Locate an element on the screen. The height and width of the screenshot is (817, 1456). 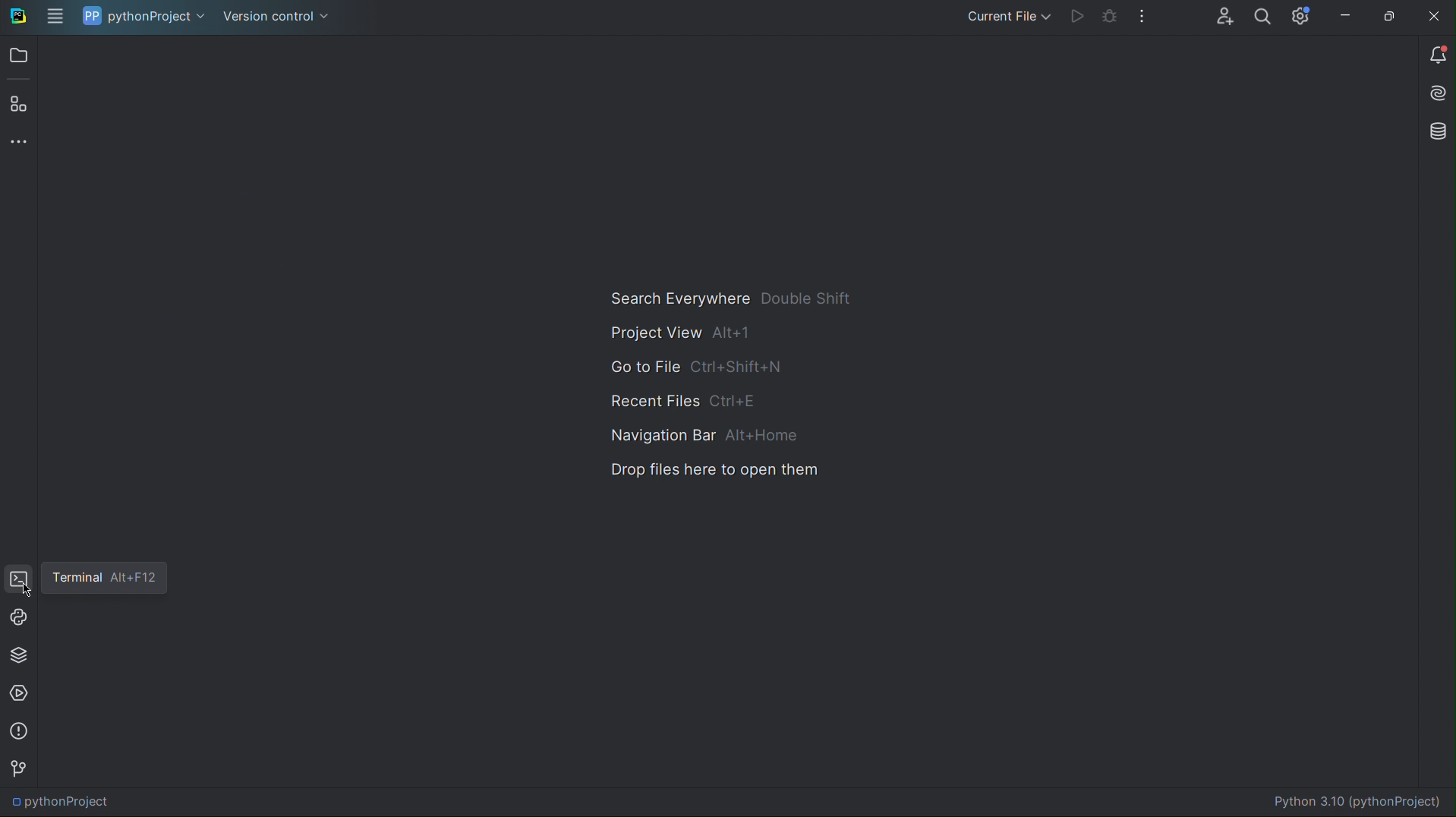
pythonProject is located at coordinates (62, 803).